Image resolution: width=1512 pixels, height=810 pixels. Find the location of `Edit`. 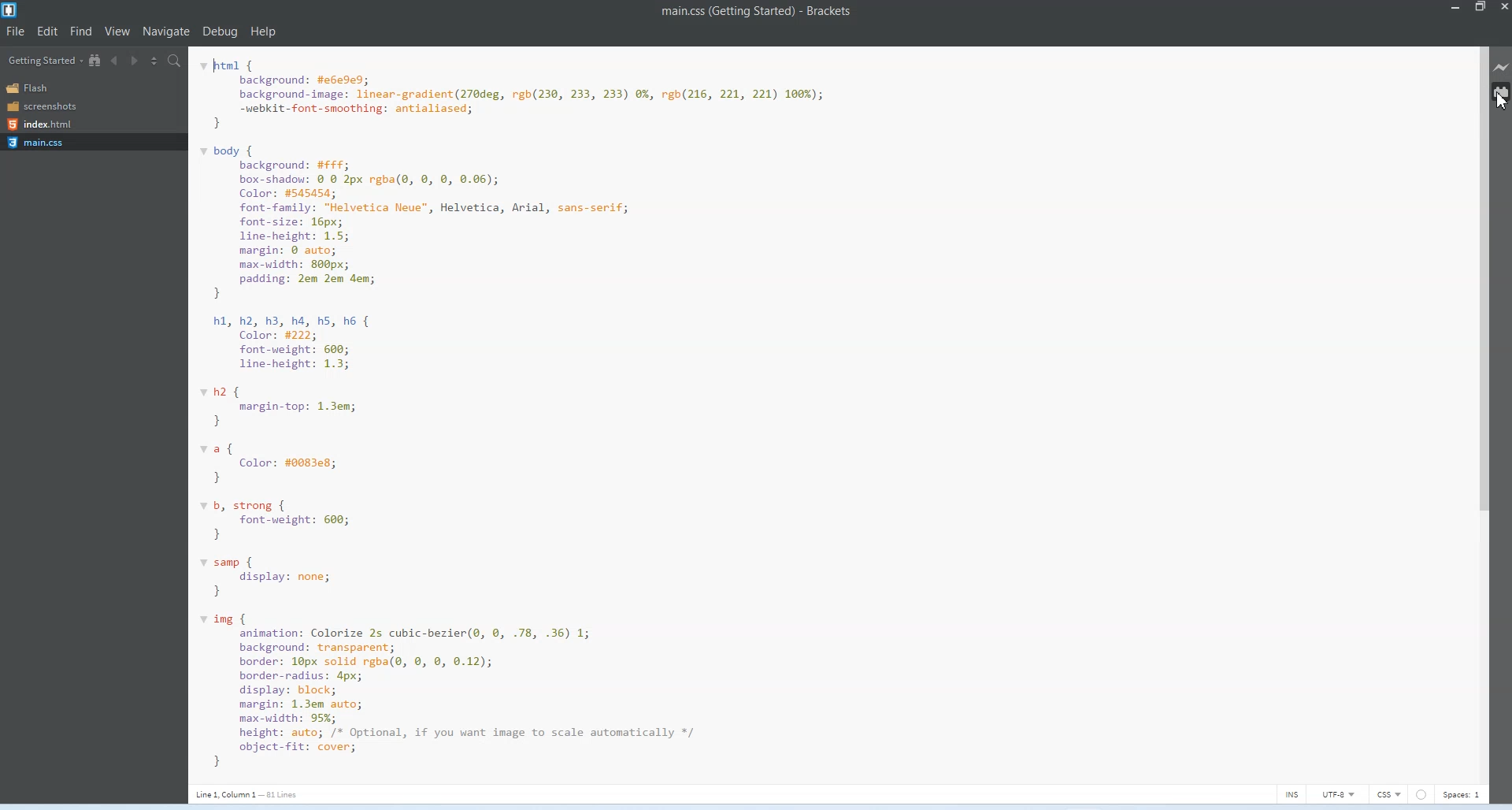

Edit is located at coordinates (49, 31).